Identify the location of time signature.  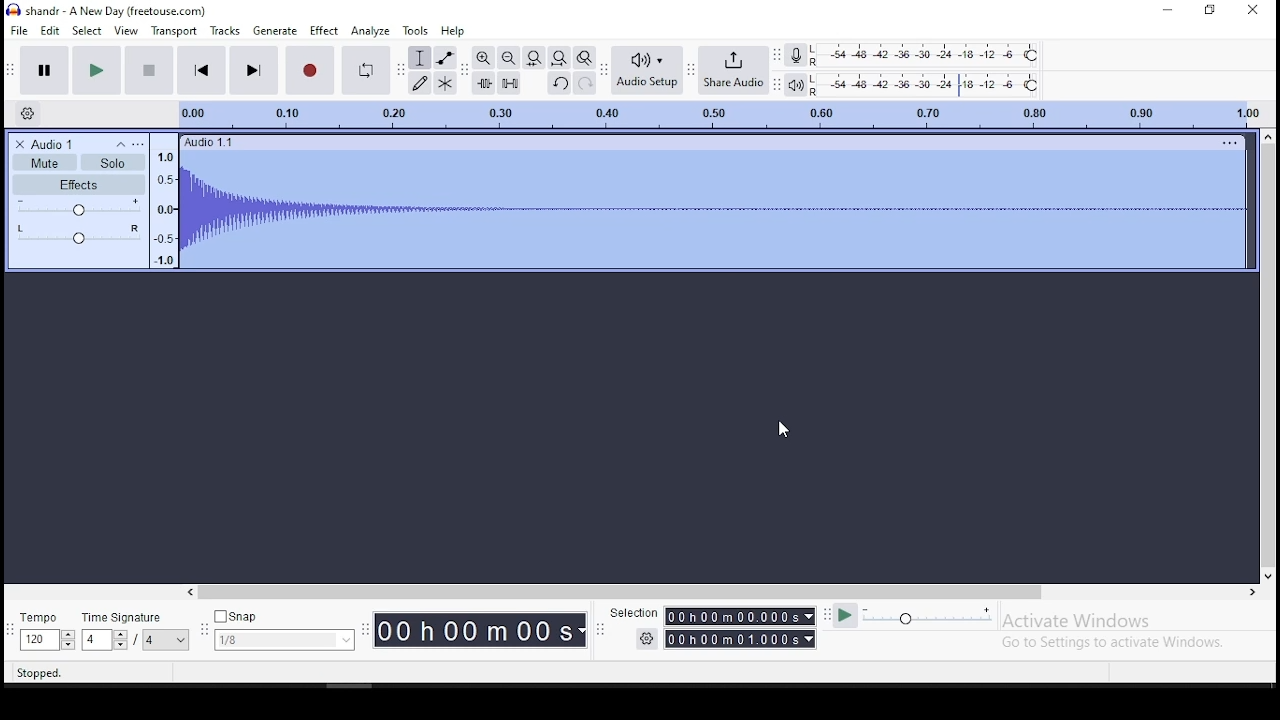
(284, 628).